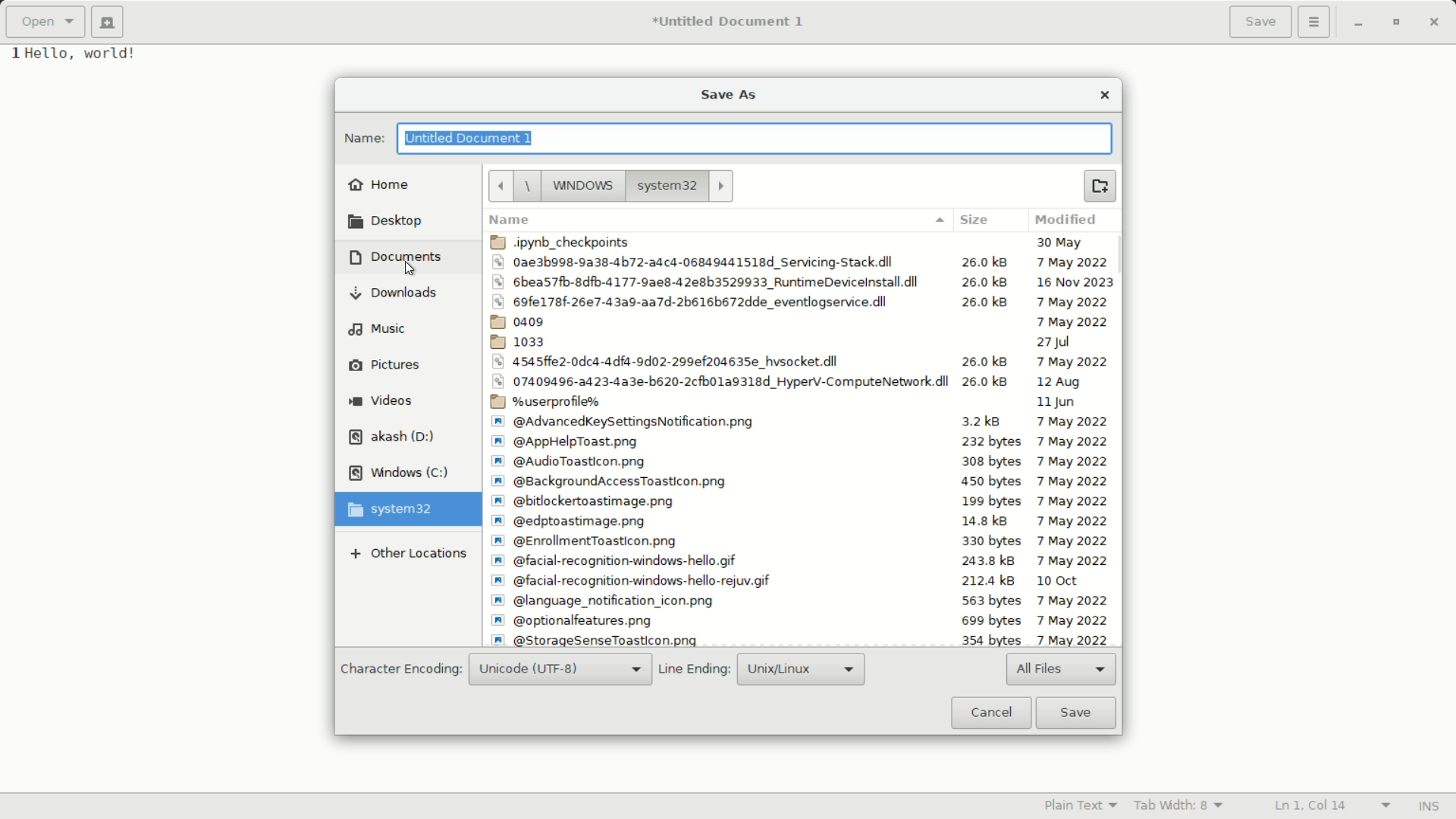 The image size is (1456, 819). What do you see at coordinates (500, 187) in the screenshot?
I see `Move back` at bounding box center [500, 187].